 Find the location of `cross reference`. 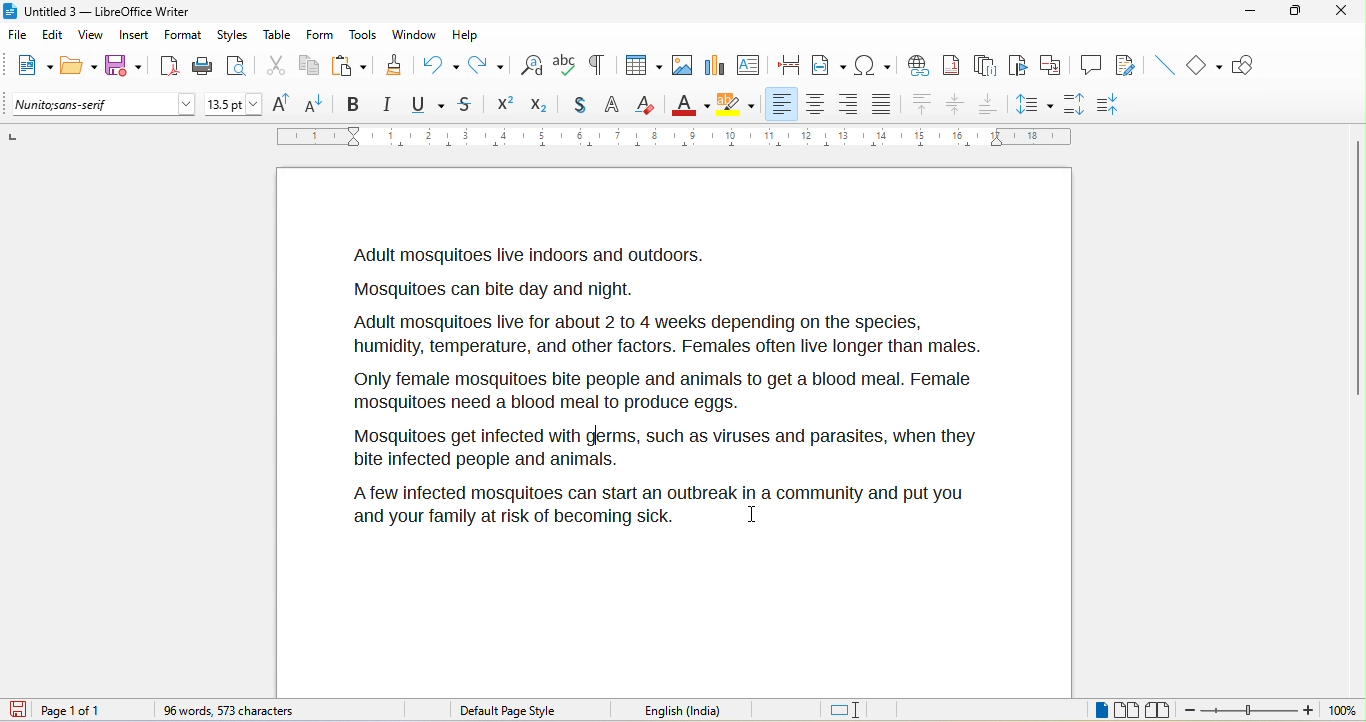

cross reference is located at coordinates (1055, 65).